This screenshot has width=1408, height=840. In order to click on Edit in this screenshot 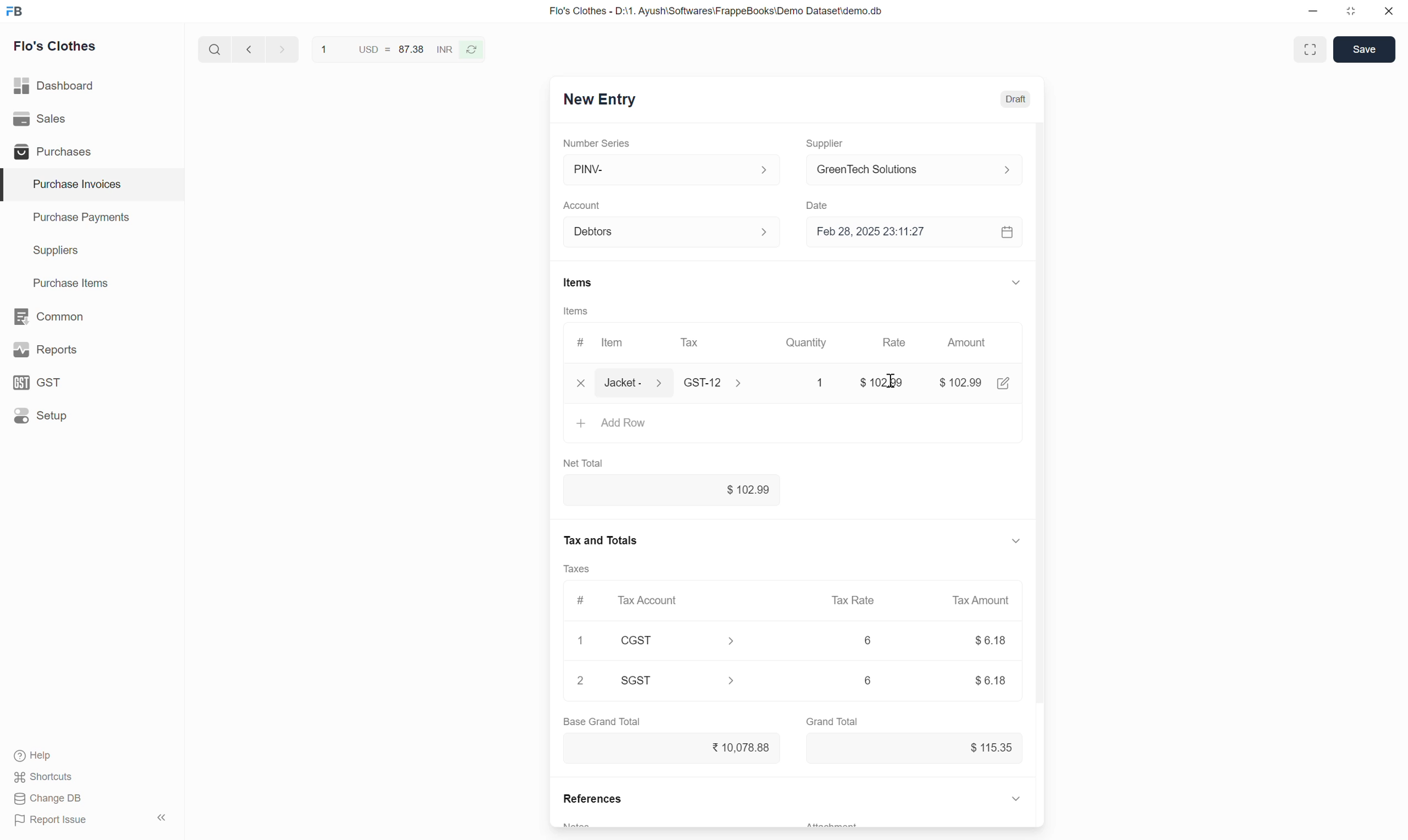, I will do `click(1004, 383)`.